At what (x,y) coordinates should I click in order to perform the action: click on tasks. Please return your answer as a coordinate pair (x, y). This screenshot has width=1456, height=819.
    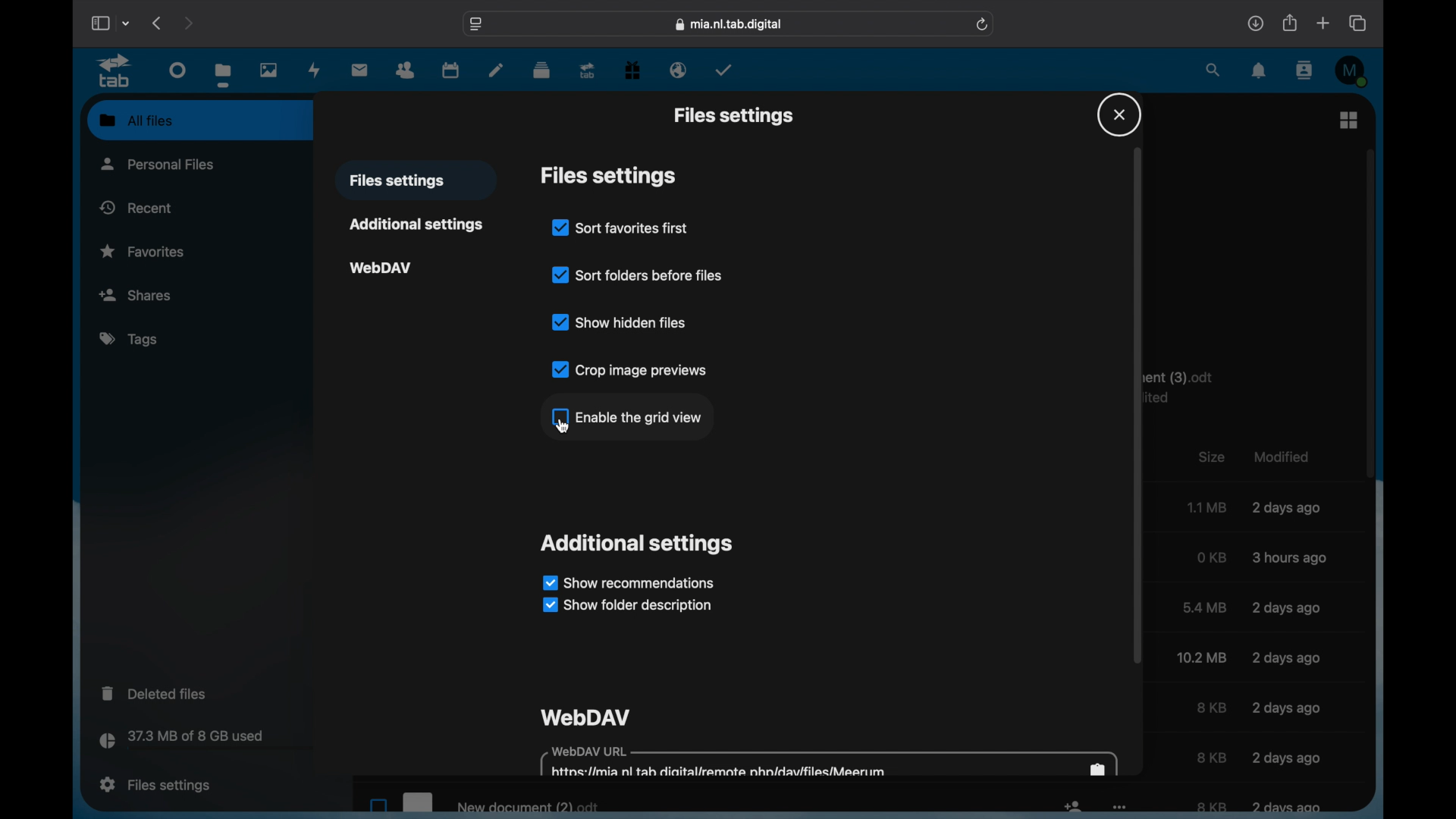
    Looking at the image, I should click on (723, 70).